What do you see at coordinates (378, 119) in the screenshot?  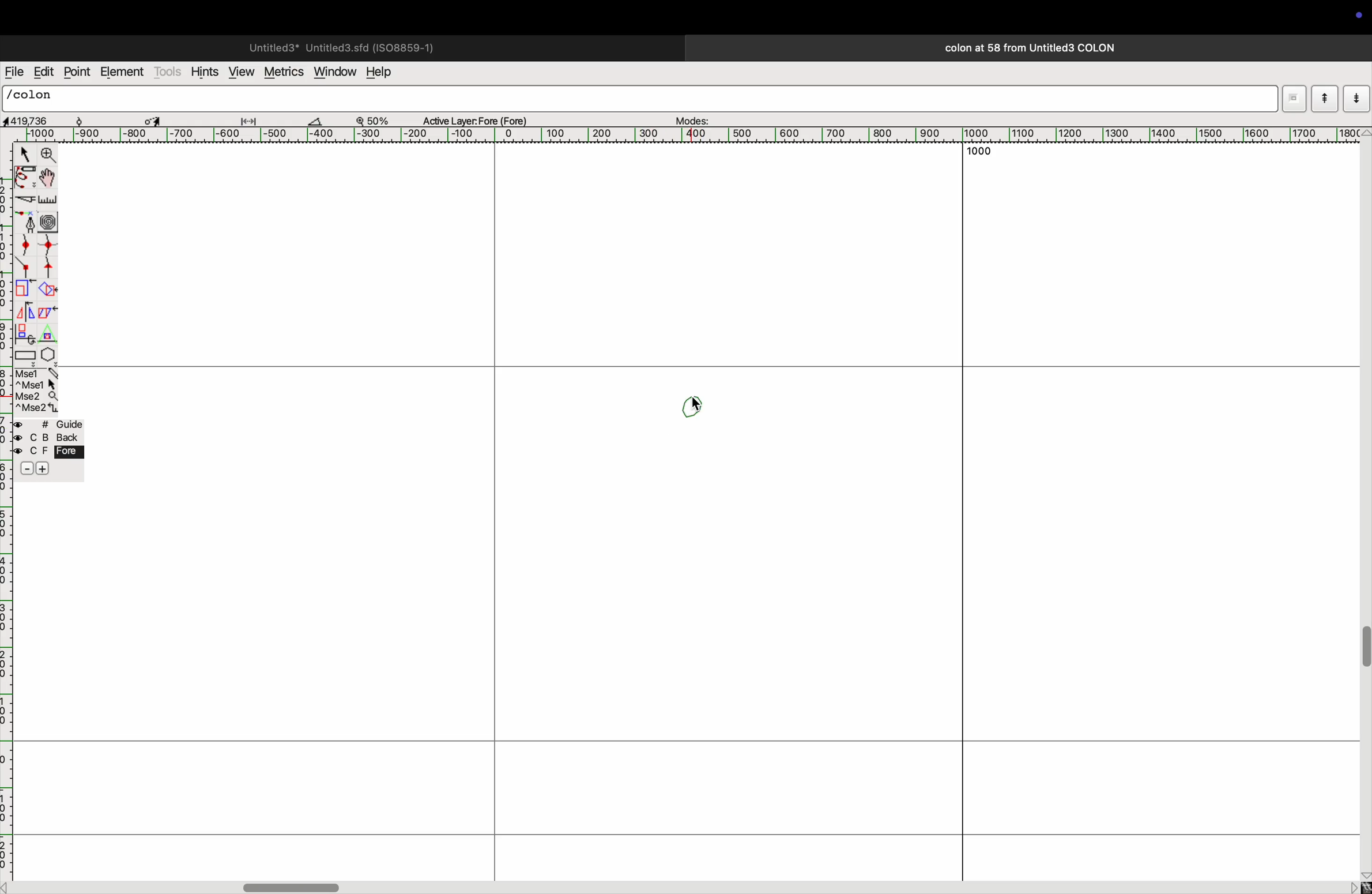 I see `zoom` at bounding box center [378, 119].